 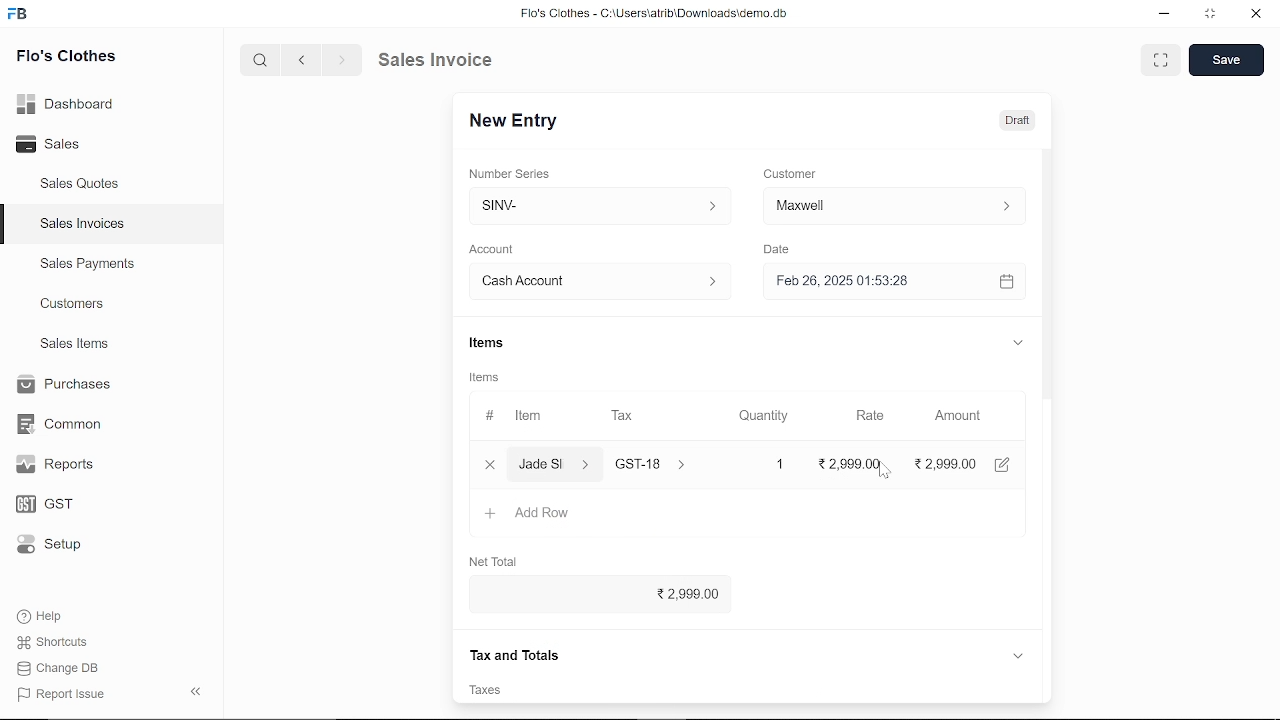 What do you see at coordinates (776, 250) in the screenshot?
I see `Date` at bounding box center [776, 250].